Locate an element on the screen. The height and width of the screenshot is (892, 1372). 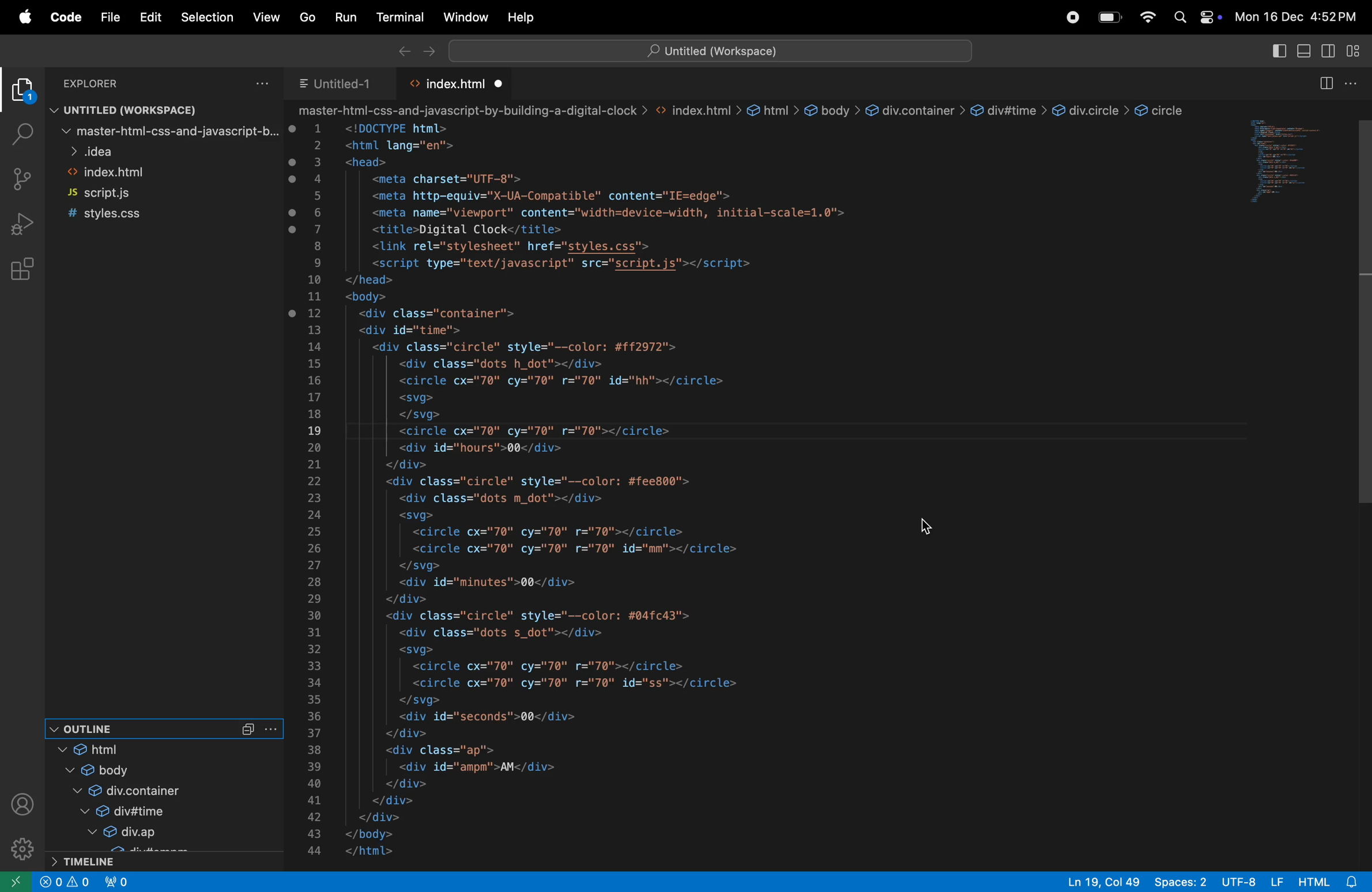
indexhtml is located at coordinates (166, 173).